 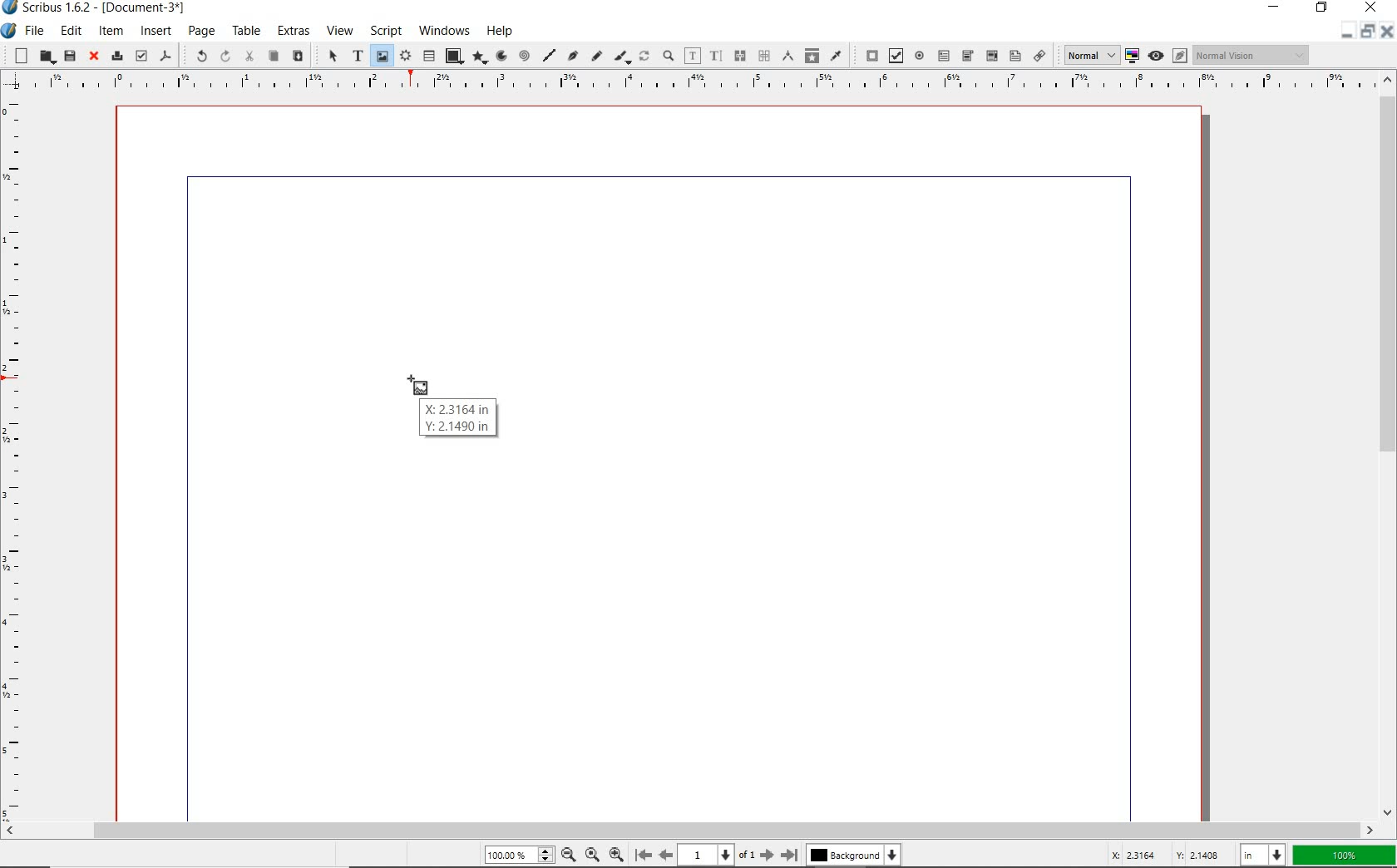 I want to click on previous, so click(x=667, y=856).